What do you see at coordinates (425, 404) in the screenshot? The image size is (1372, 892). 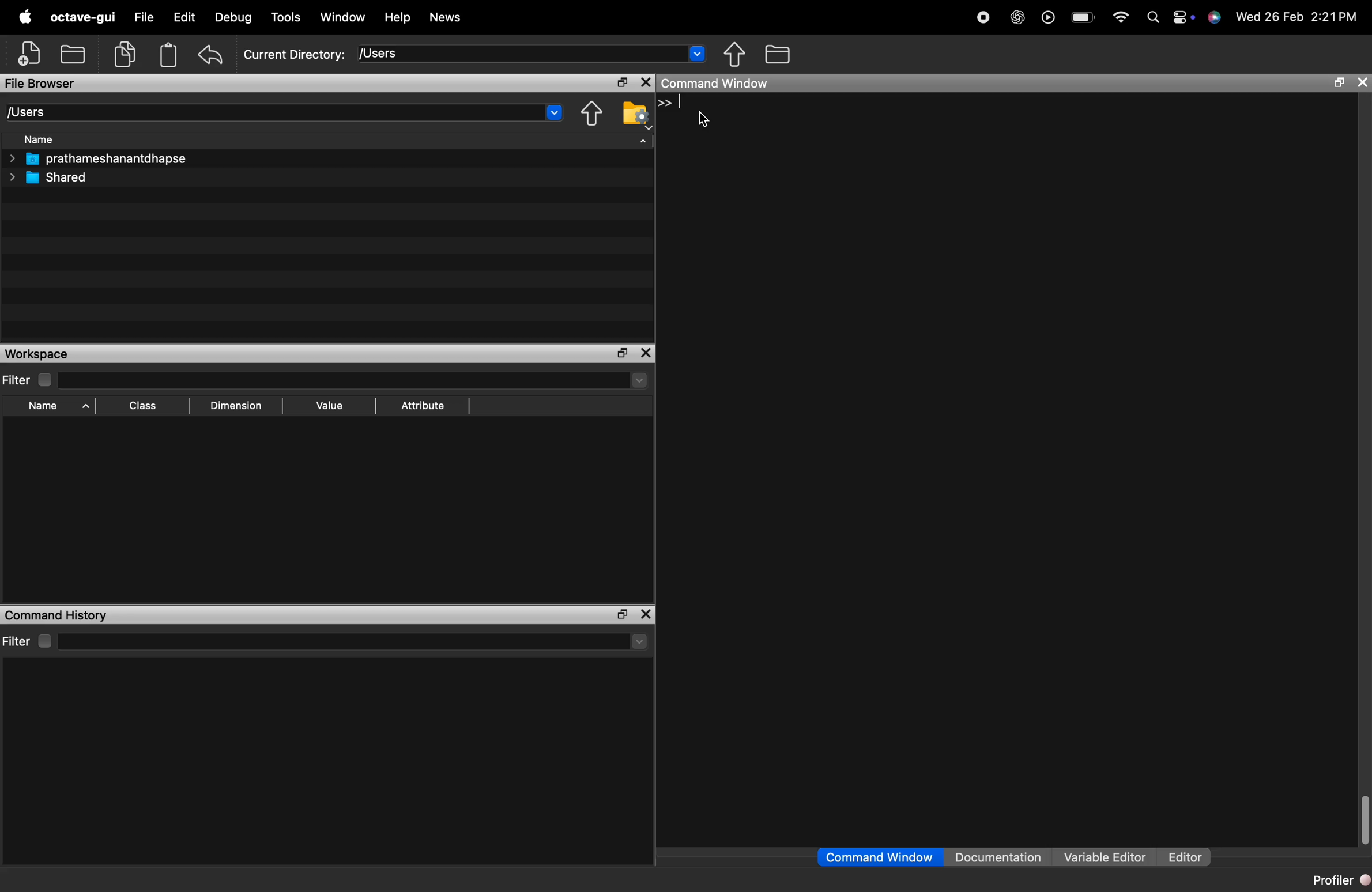 I see `Attribute` at bounding box center [425, 404].